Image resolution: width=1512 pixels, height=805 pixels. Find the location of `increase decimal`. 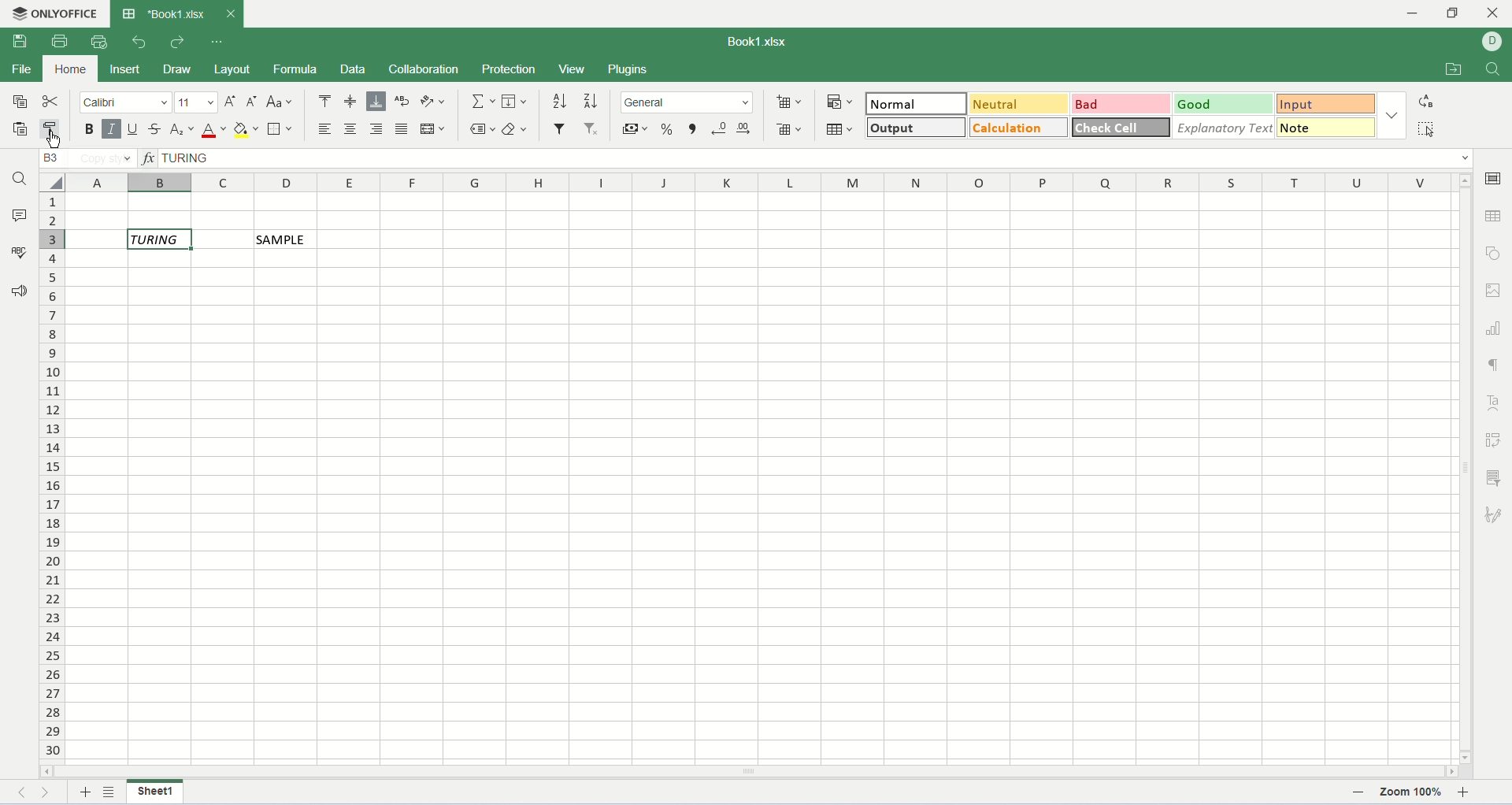

increase decimal is located at coordinates (745, 128).